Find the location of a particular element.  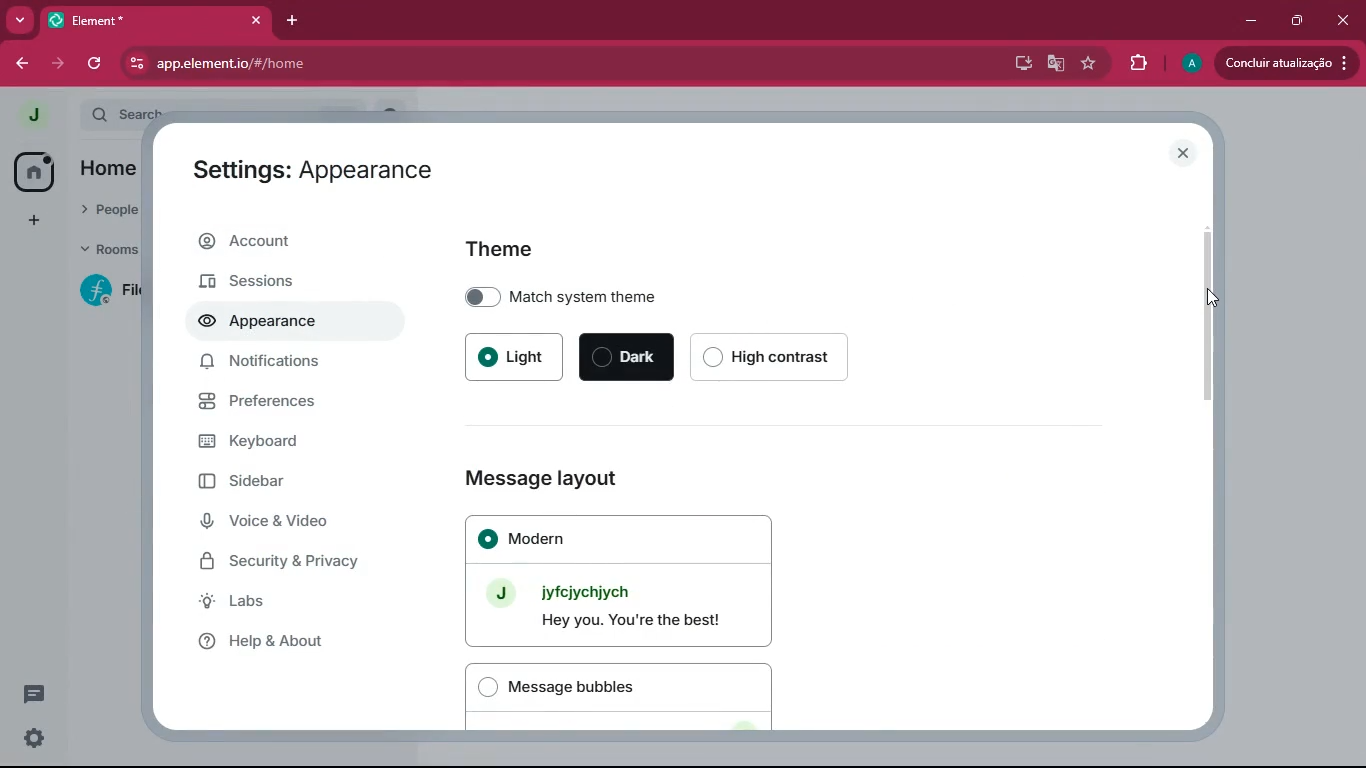

message layout is located at coordinates (569, 475).